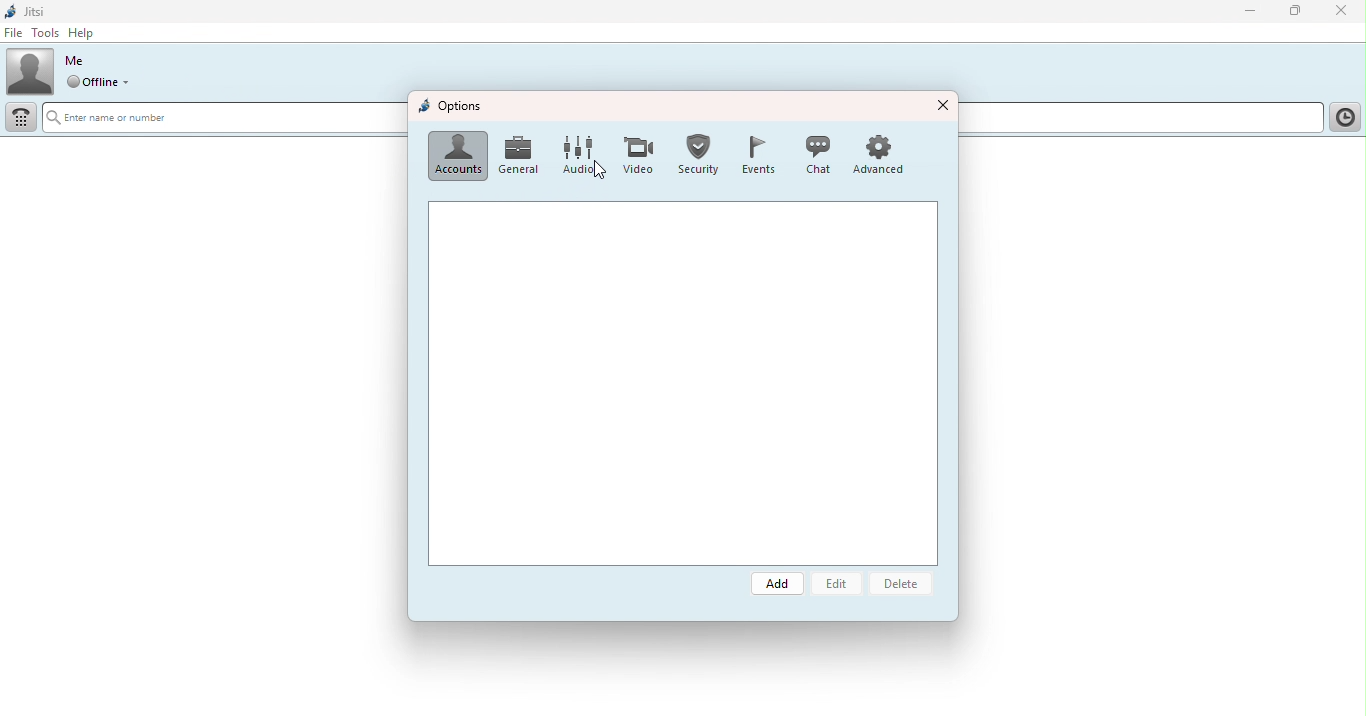 This screenshot has width=1366, height=716. Describe the element at coordinates (46, 32) in the screenshot. I see `Tools` at that location.